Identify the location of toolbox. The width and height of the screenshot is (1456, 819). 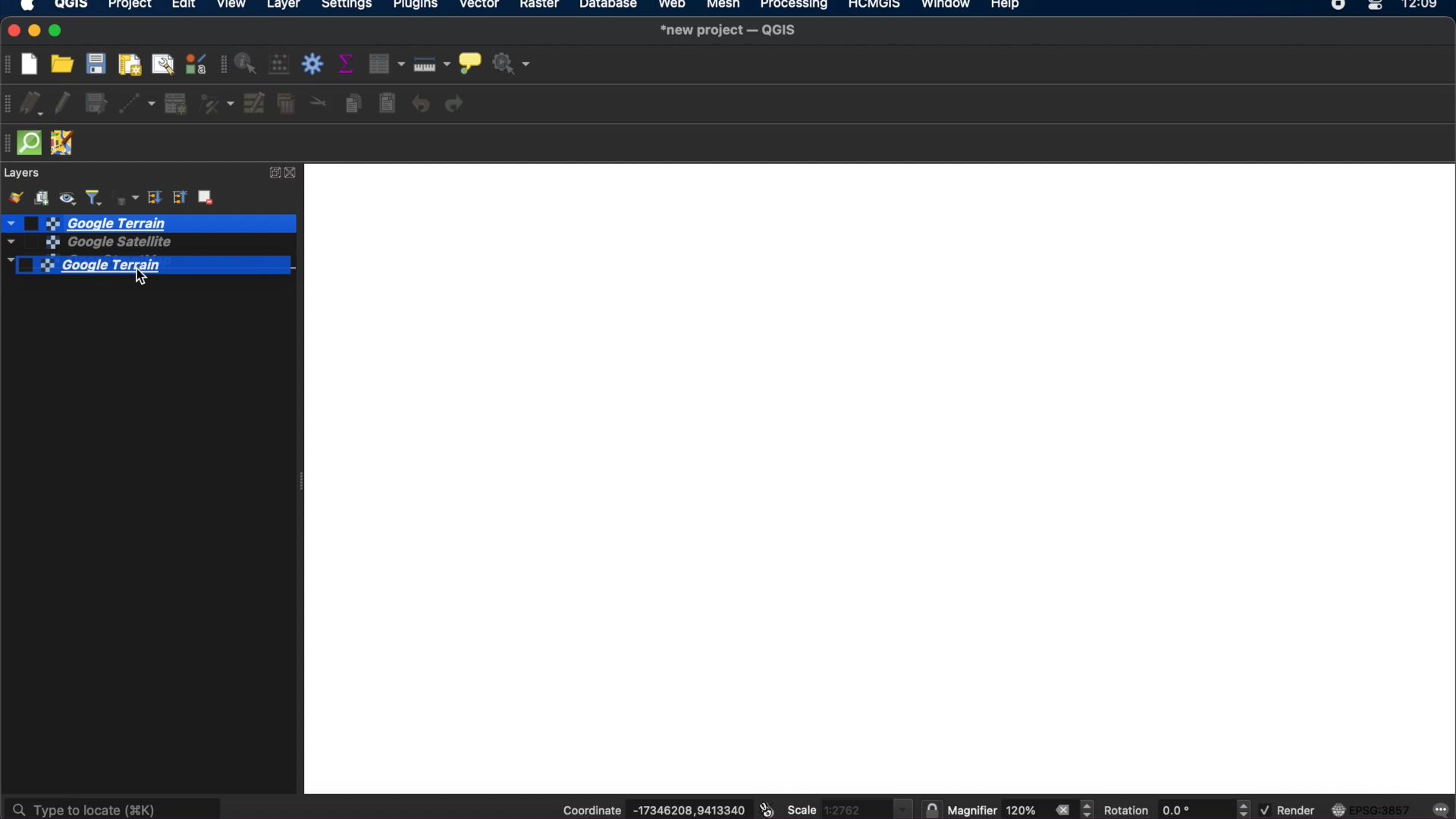
(315, 64).